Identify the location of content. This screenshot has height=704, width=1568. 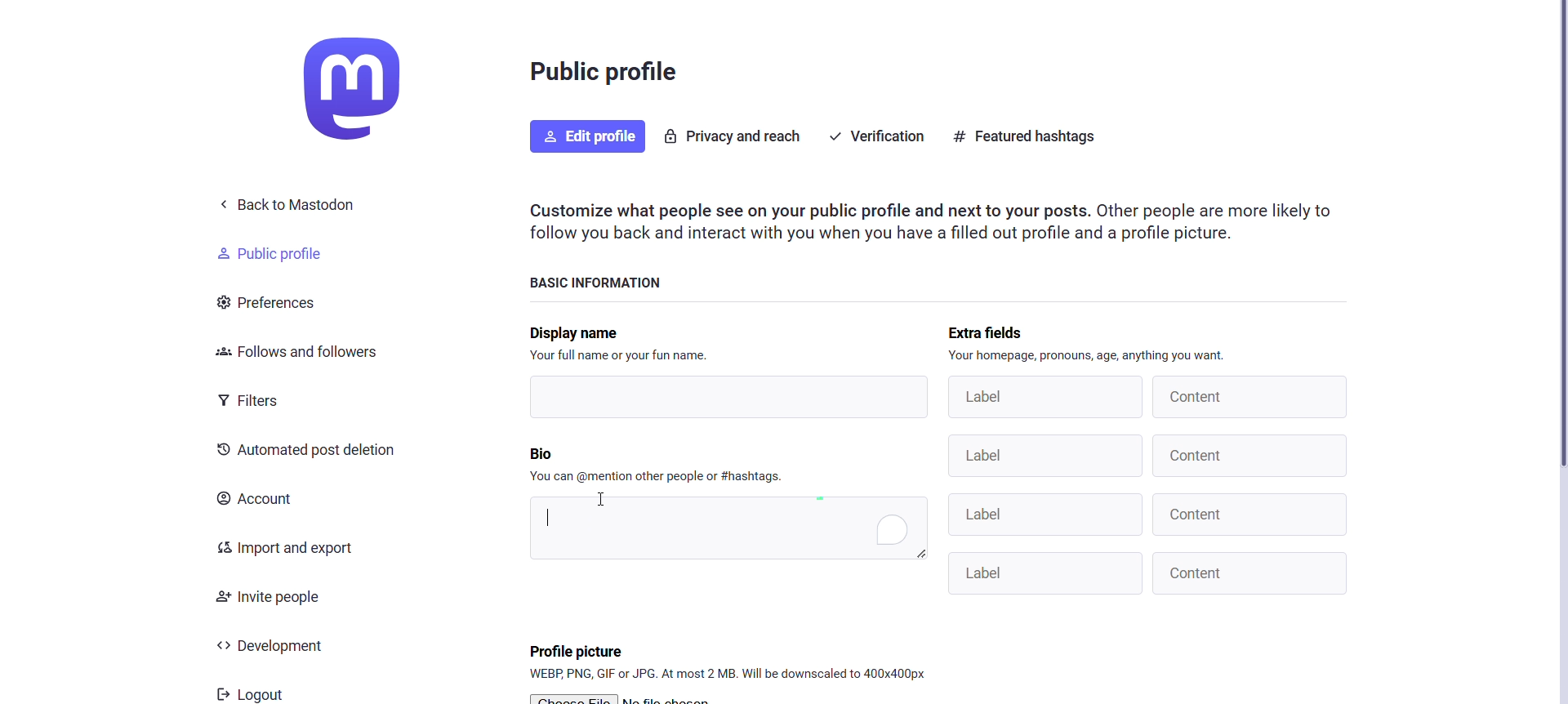
(1249, 515).